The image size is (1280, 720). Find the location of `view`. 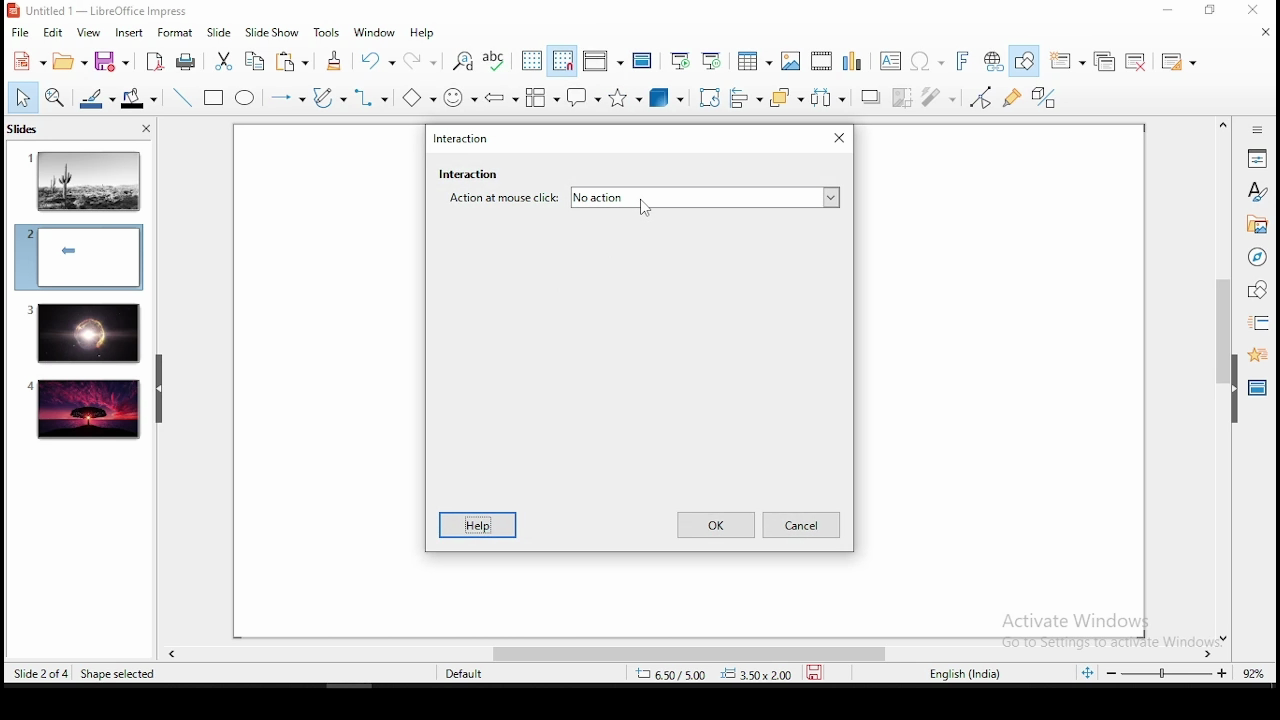

view is located at coordinates (89, 32).